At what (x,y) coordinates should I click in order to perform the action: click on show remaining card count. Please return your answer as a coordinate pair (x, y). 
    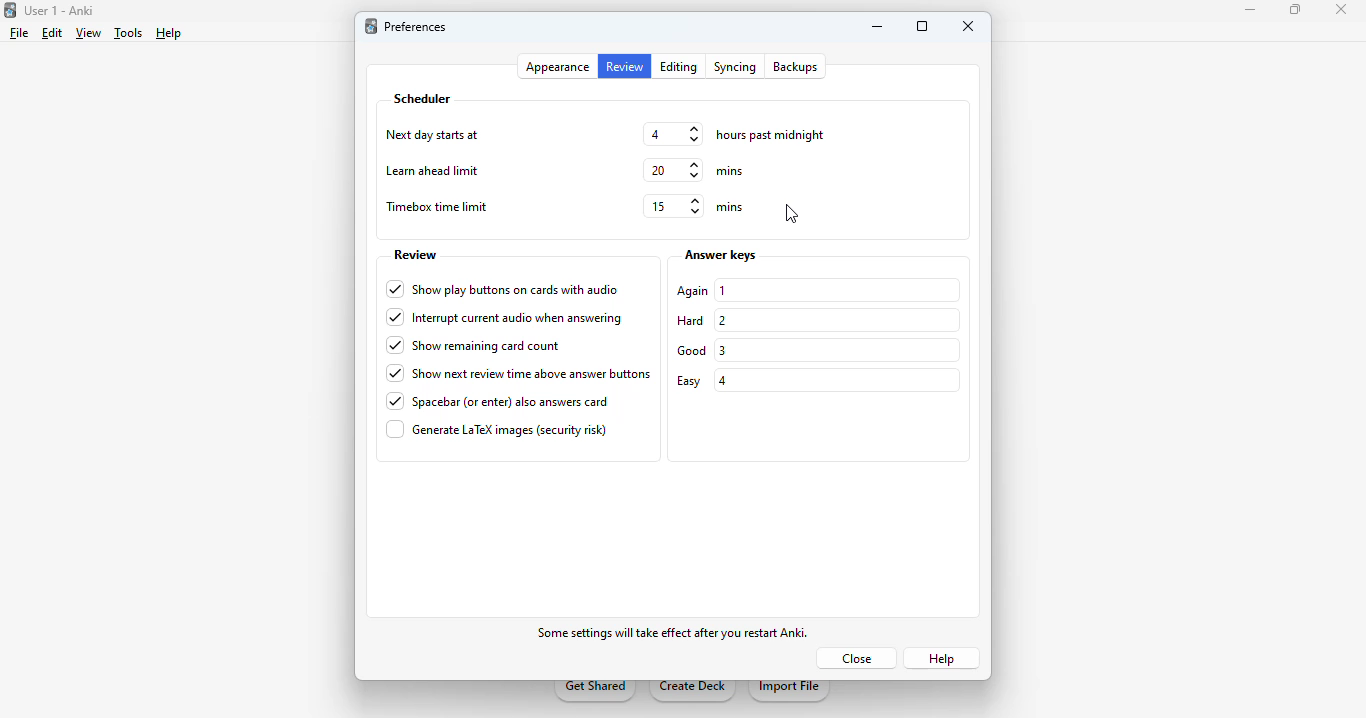
    Looking at the image, I should click on (473, 345).